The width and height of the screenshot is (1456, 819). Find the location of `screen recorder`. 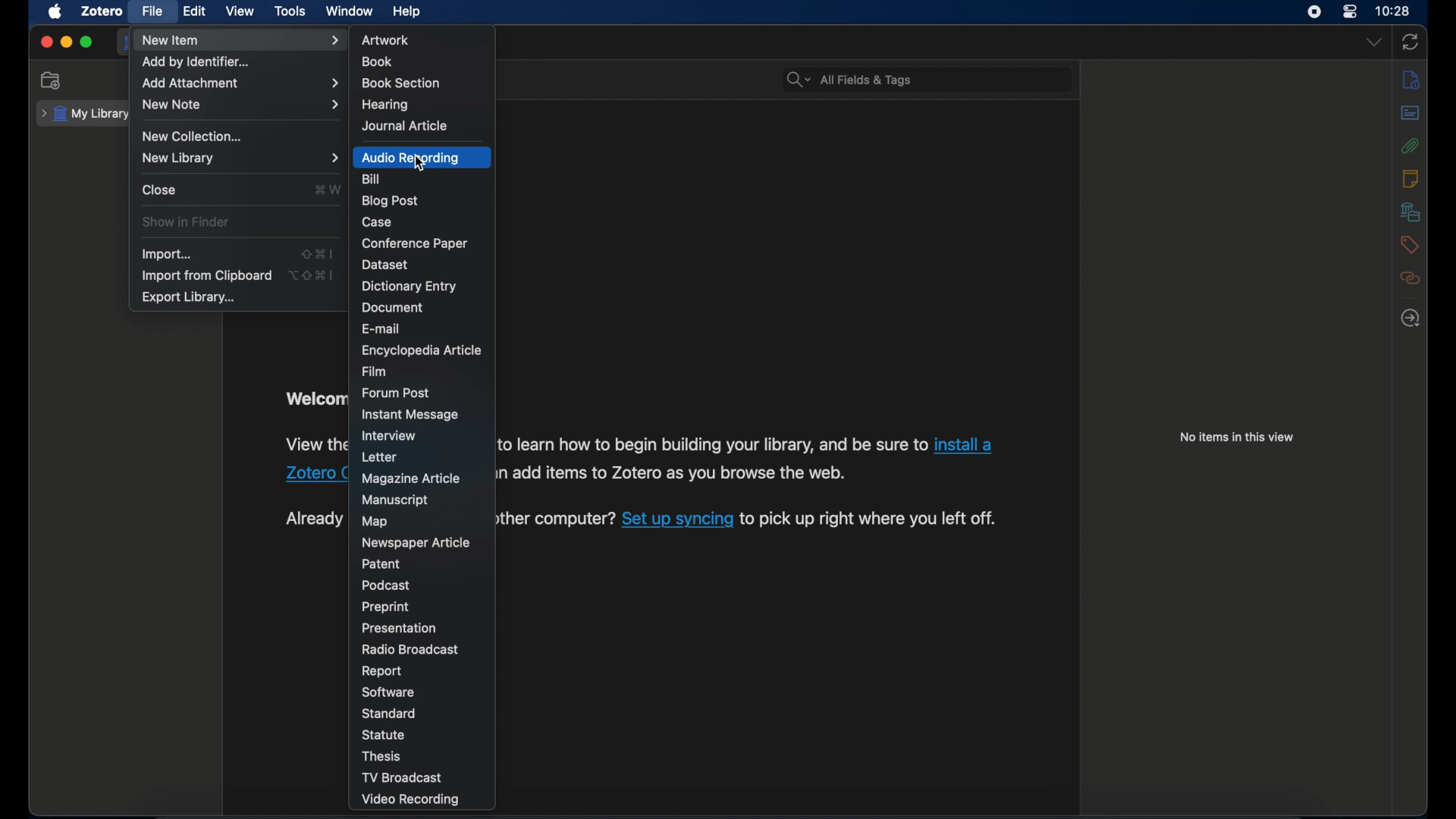

screen recorder is located at coordinates (1314, 11).